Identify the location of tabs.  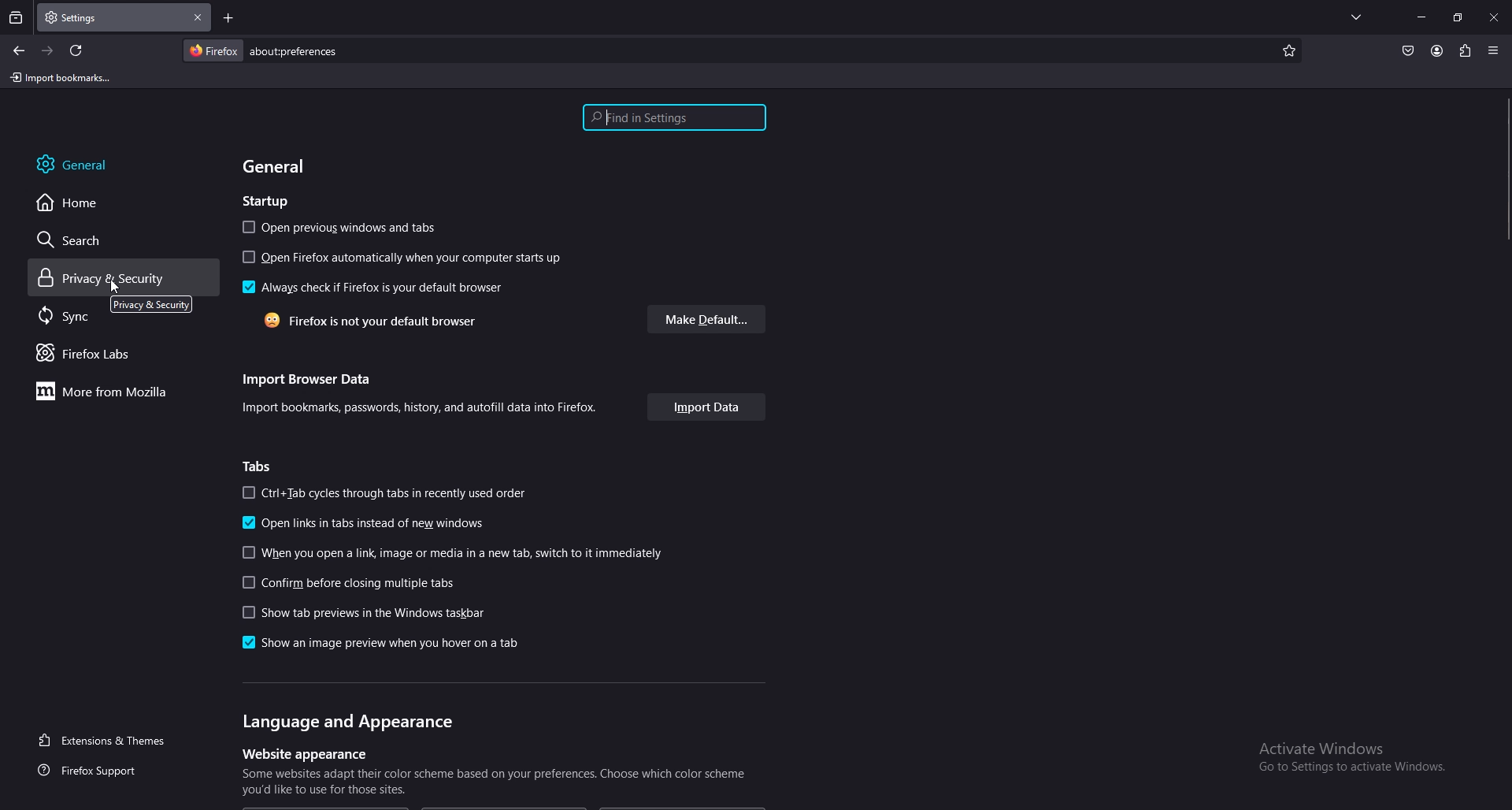
(261, 466).